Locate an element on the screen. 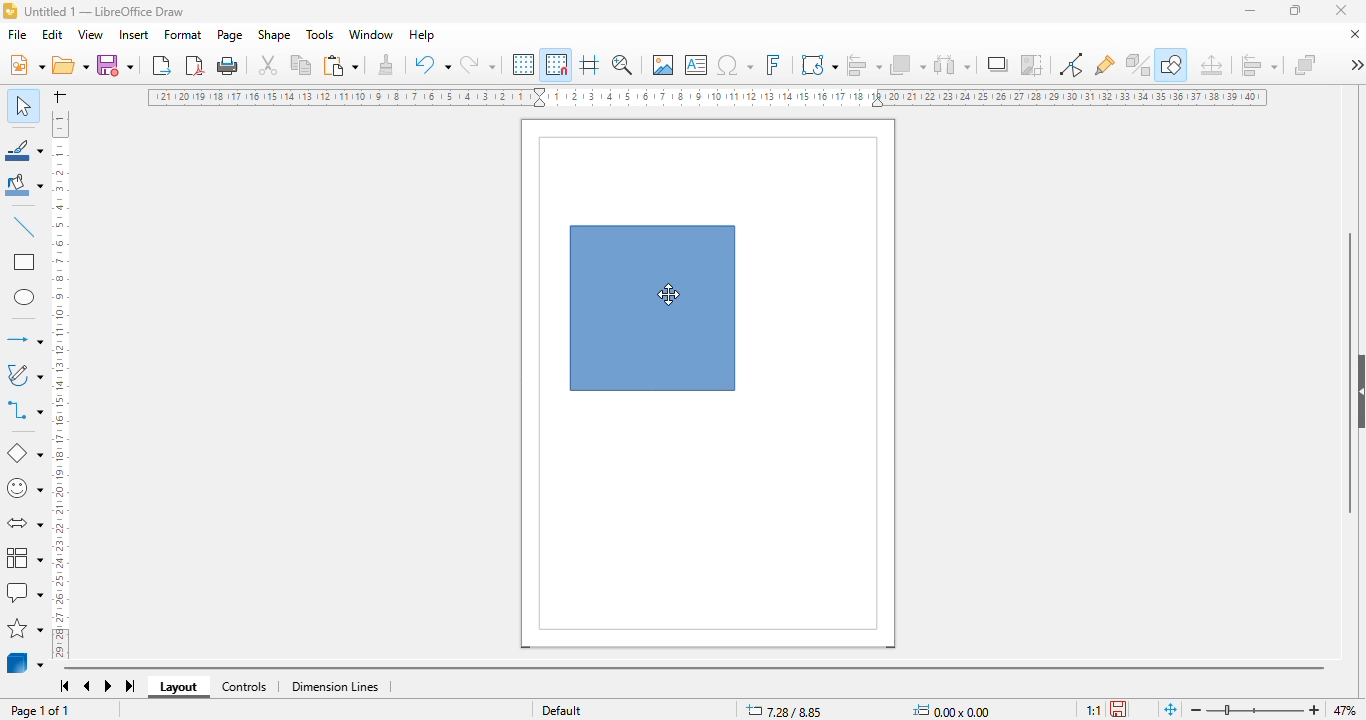  symbol shapes is located at coordinates (24, 489).